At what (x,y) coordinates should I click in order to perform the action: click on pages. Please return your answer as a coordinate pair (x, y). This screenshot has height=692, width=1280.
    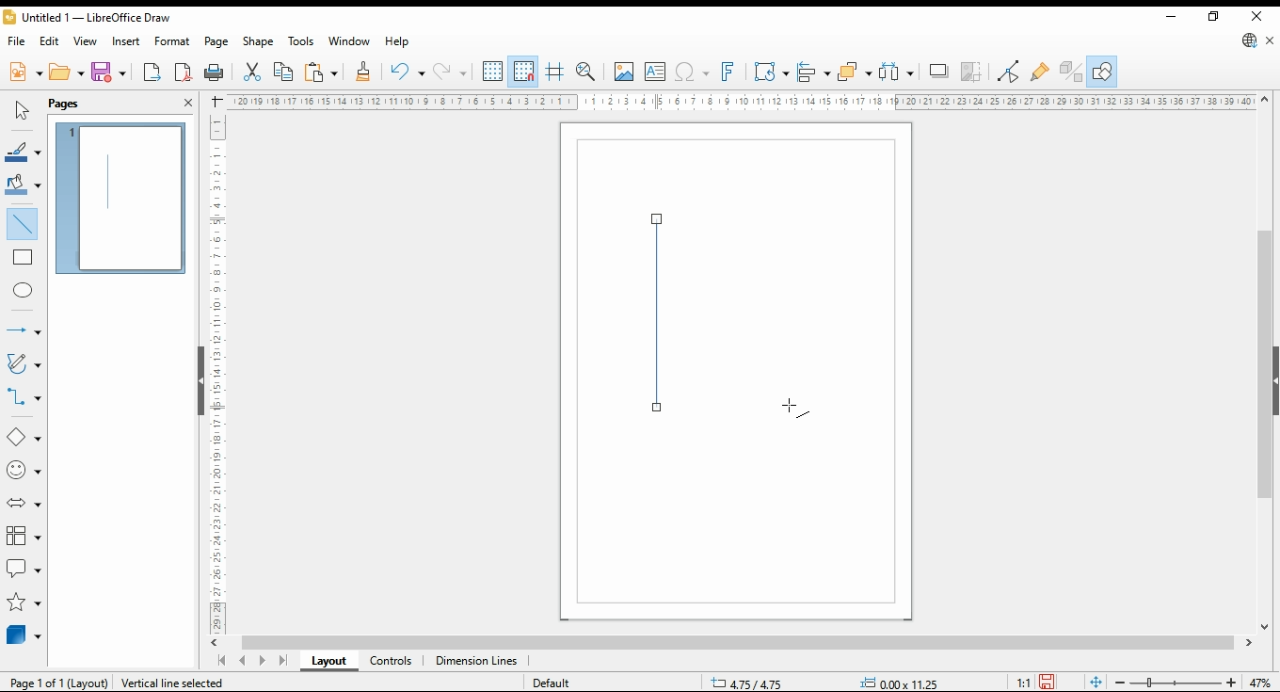
    Looking at the image, I should click on (73, 103).